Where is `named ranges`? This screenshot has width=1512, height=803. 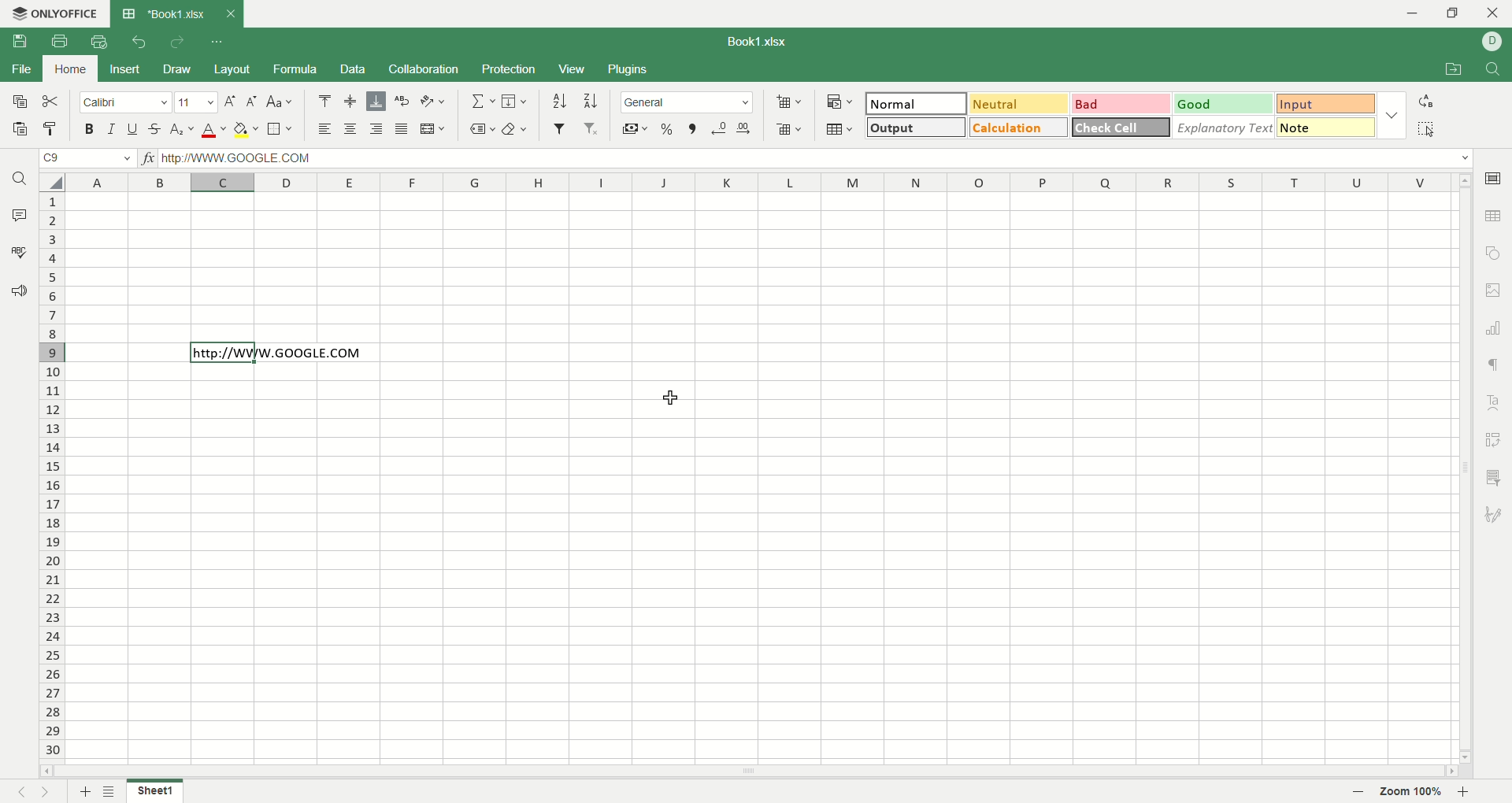 named ranges is located at coordinates (483, 131).